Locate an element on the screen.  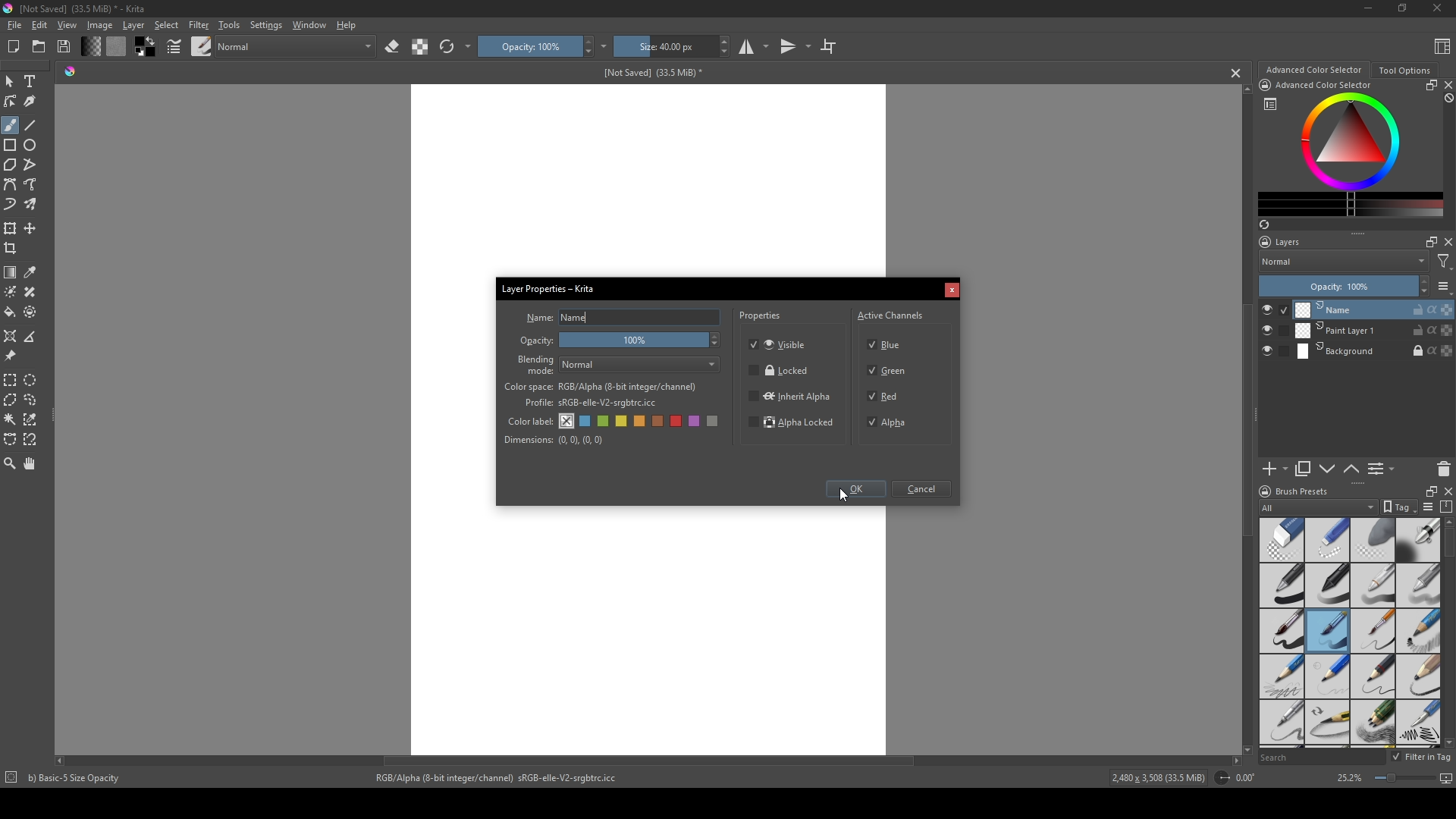
standard eraser is located at coordinates (1281, 539).